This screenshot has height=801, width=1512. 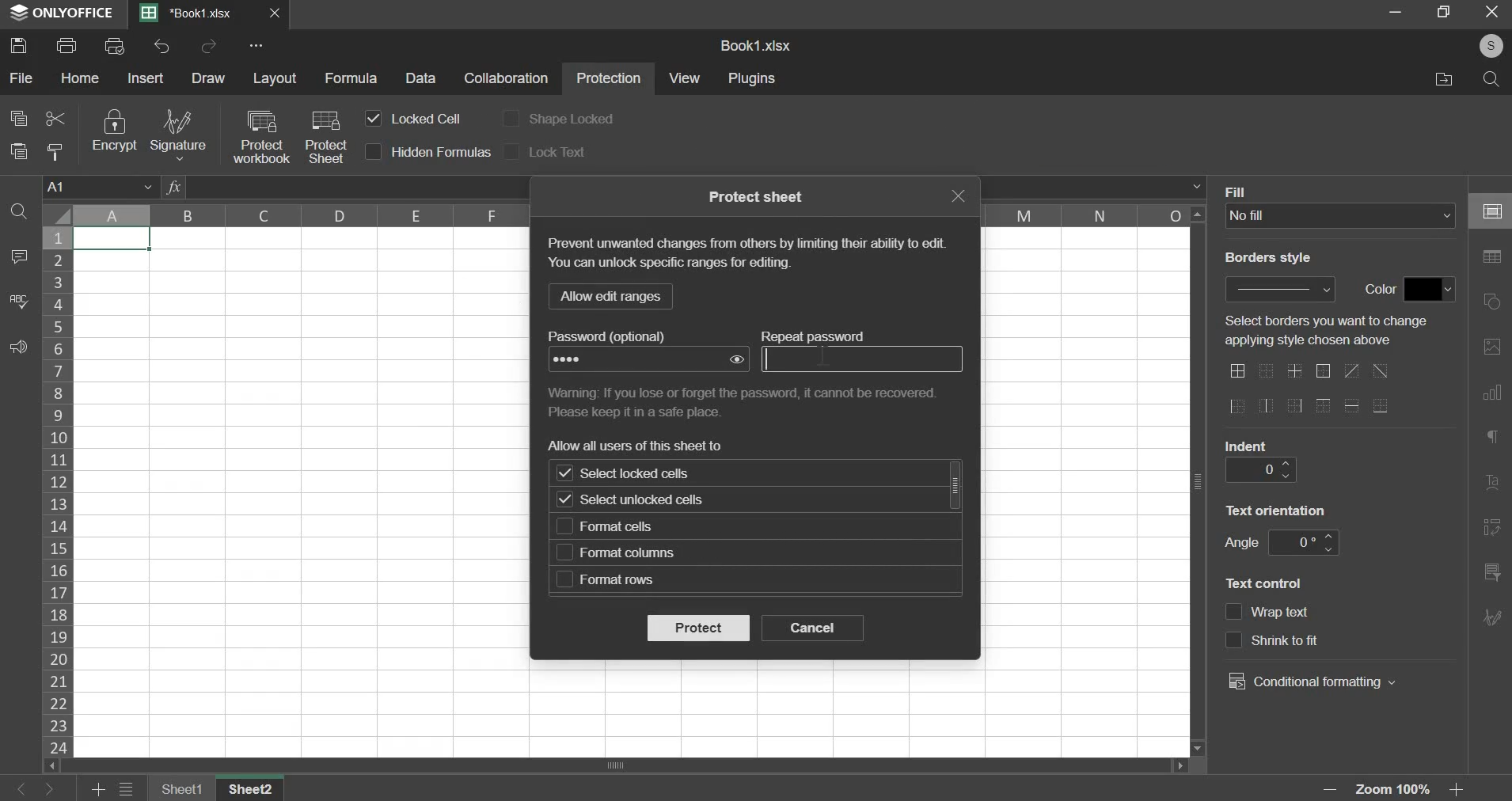 What do you see at coordinates (609, 296) in the screenshot?
I see `llow edit range` at bounding box center [609, 296].